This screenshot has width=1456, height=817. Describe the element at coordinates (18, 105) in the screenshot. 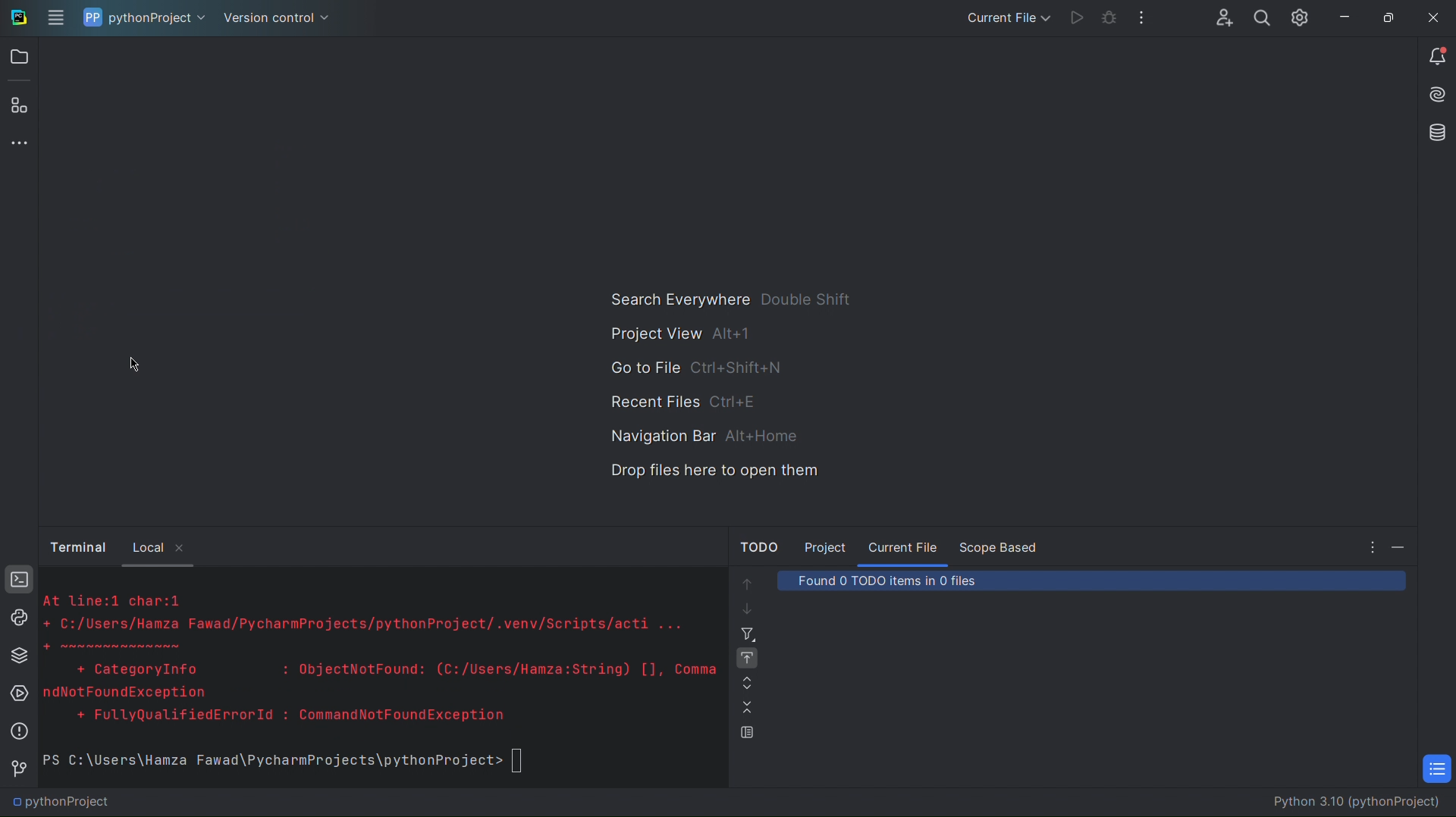

I see `Plugins` at that location.